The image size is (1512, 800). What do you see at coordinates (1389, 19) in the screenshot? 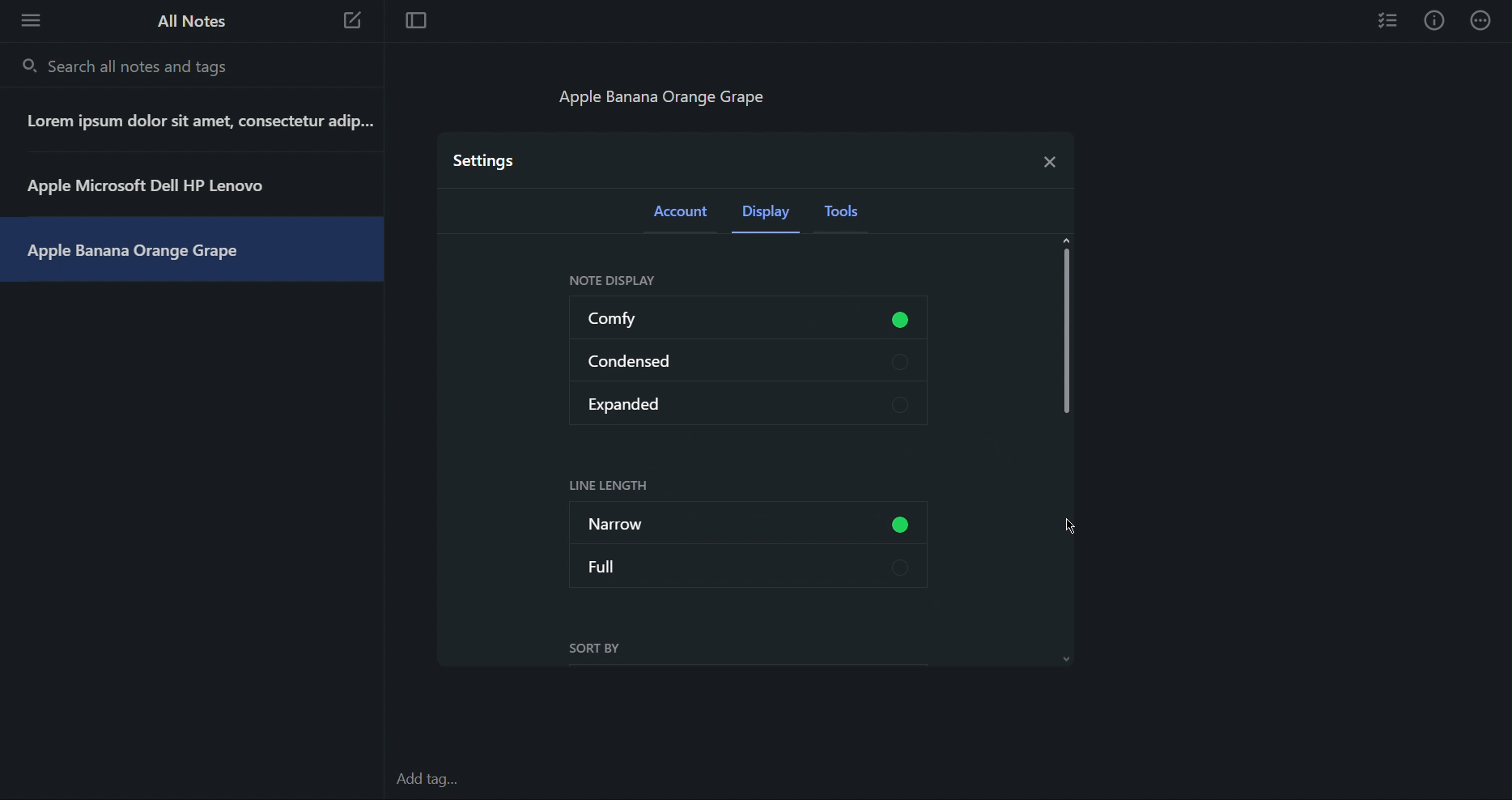
I see `Checklist` at bounding box center [1389, 19].